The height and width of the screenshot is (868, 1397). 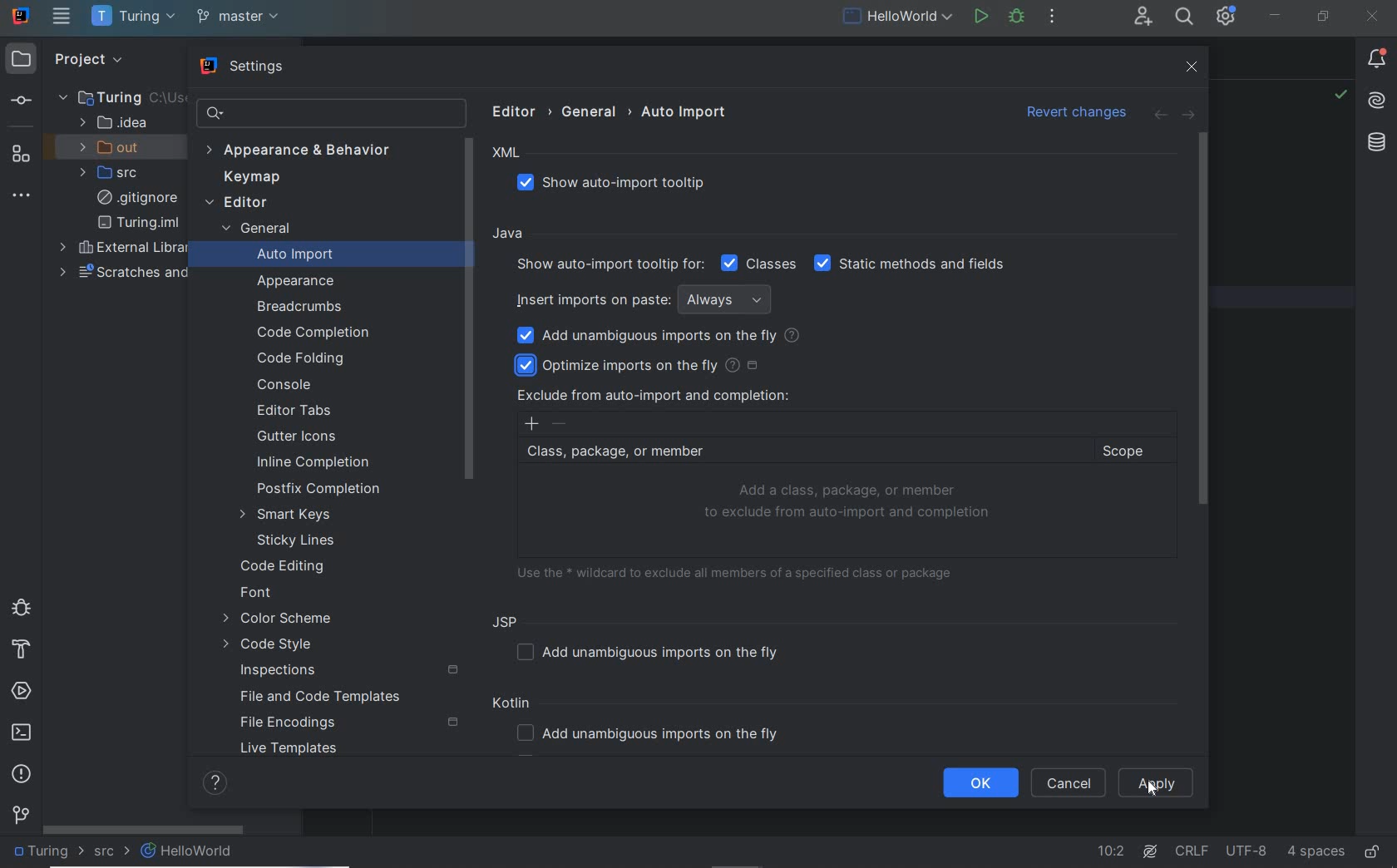 I want to click on SCROLLBAR, so click(x=1202, y=318).